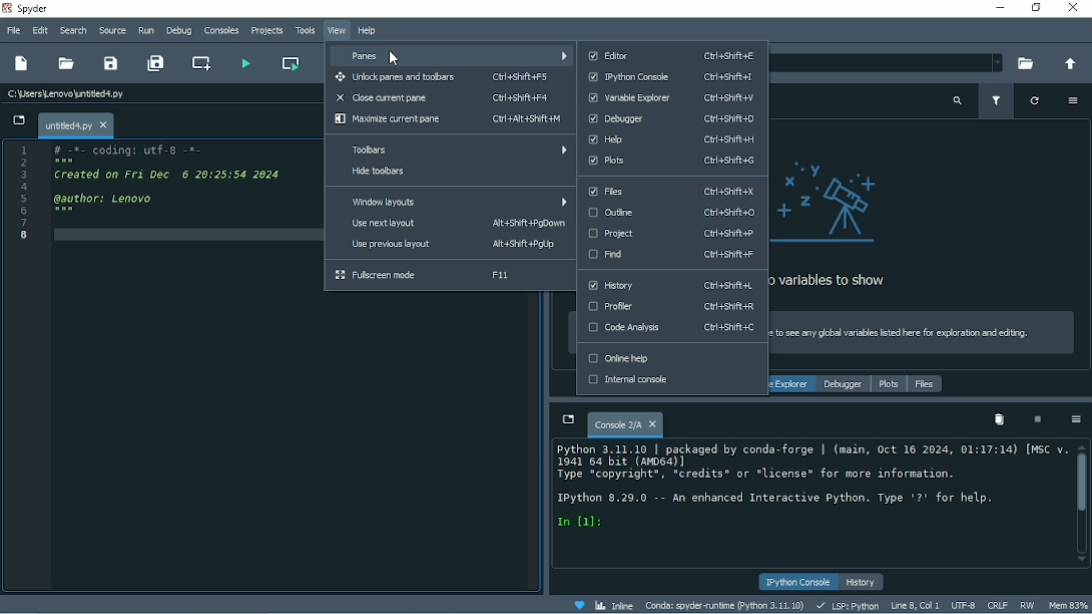  I want to click on Find, so click(674, 255).